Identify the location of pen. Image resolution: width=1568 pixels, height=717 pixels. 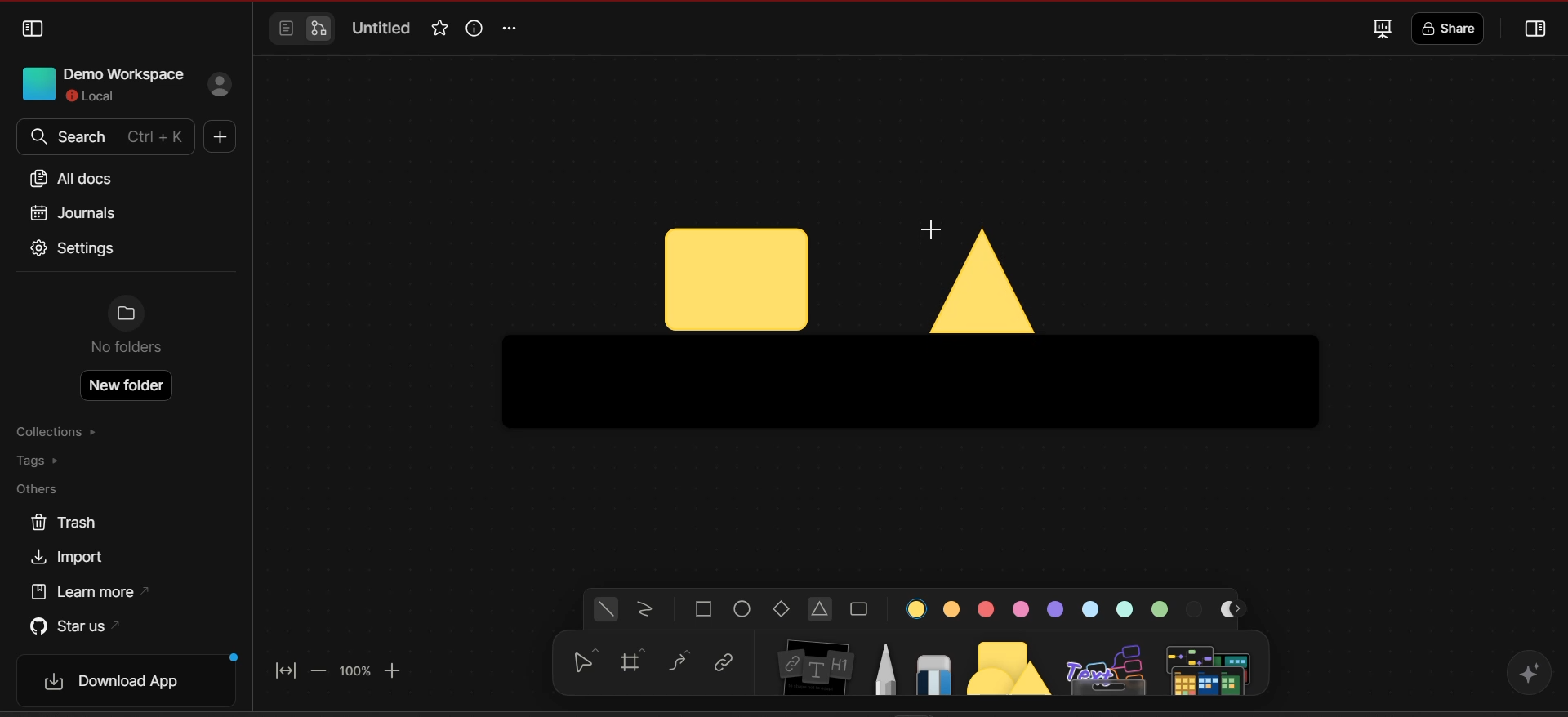
(885, 667).